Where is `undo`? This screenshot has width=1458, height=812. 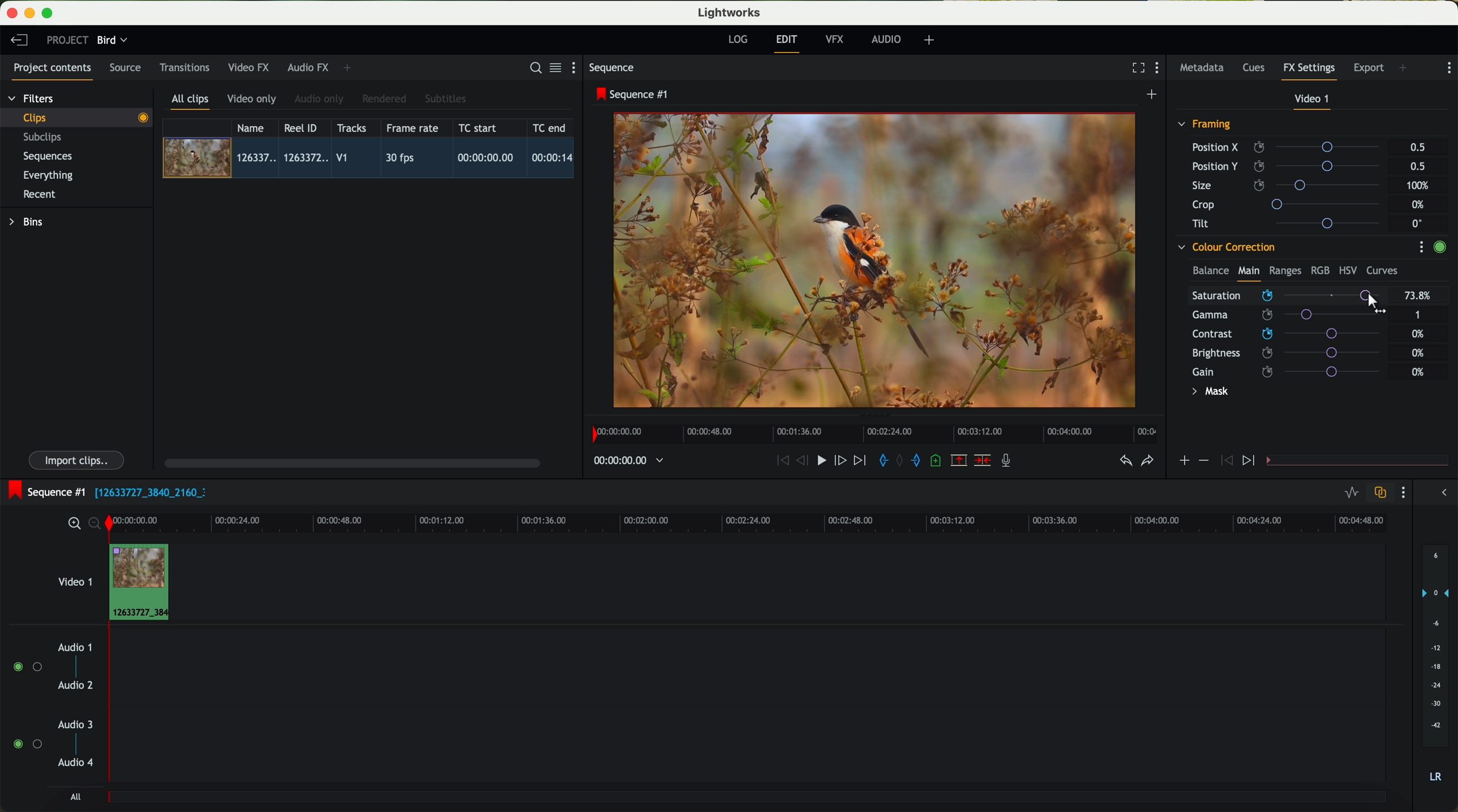
undo is located at coordinates (1125, 461).